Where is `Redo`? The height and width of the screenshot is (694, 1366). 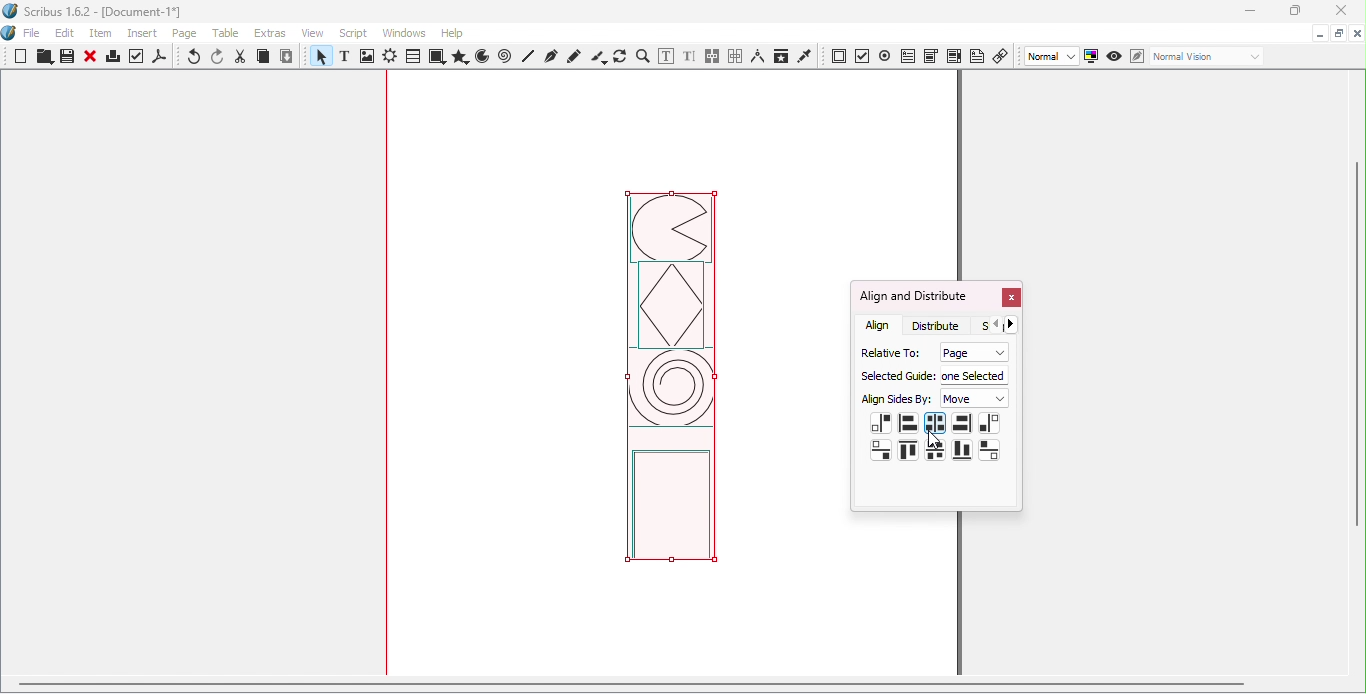 Redo is located at coordinates (219, 57).